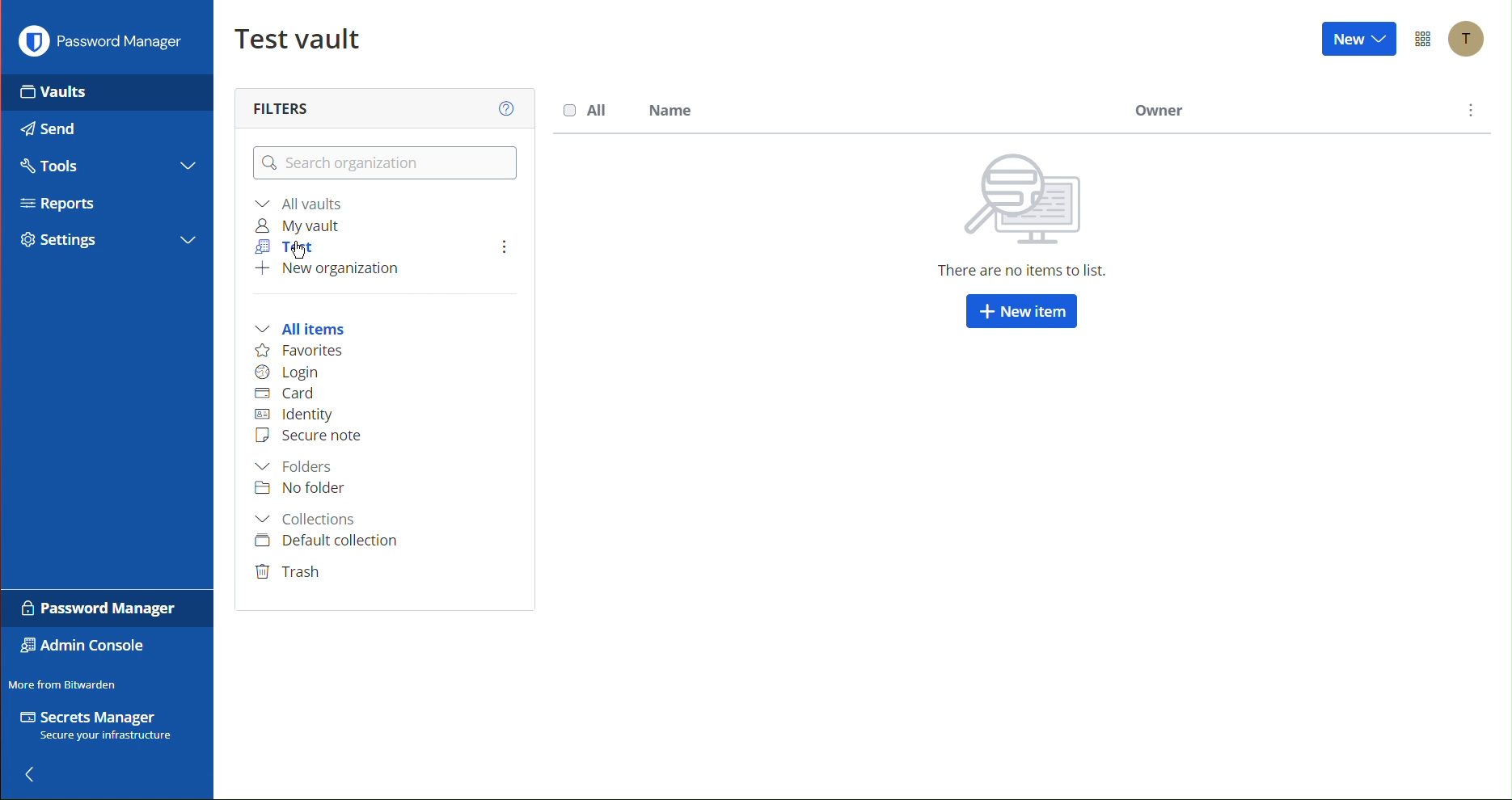  I want to click on Secrets Manager, so click(96, 724).